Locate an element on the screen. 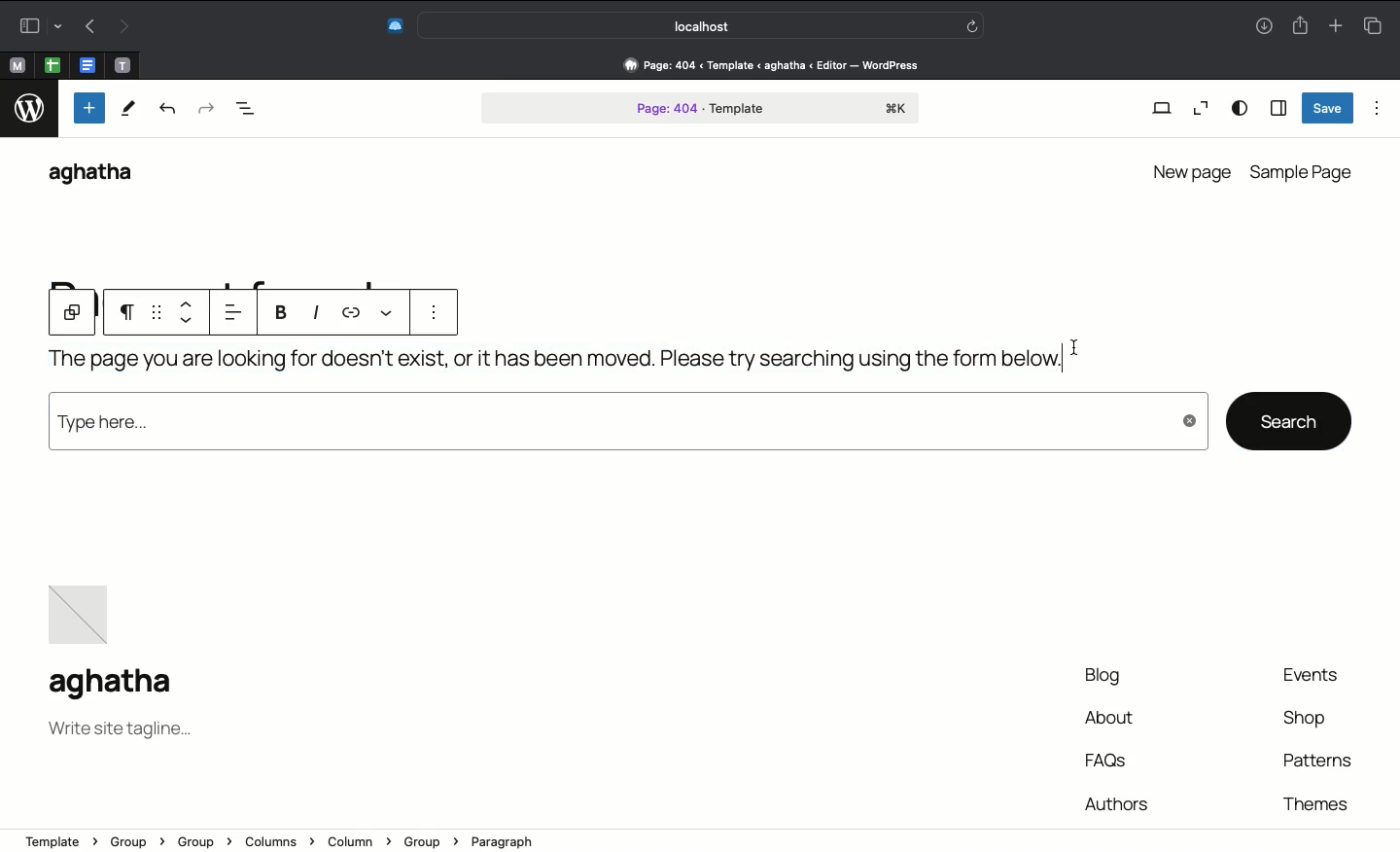  Events is located at coordinates (1320, 676).